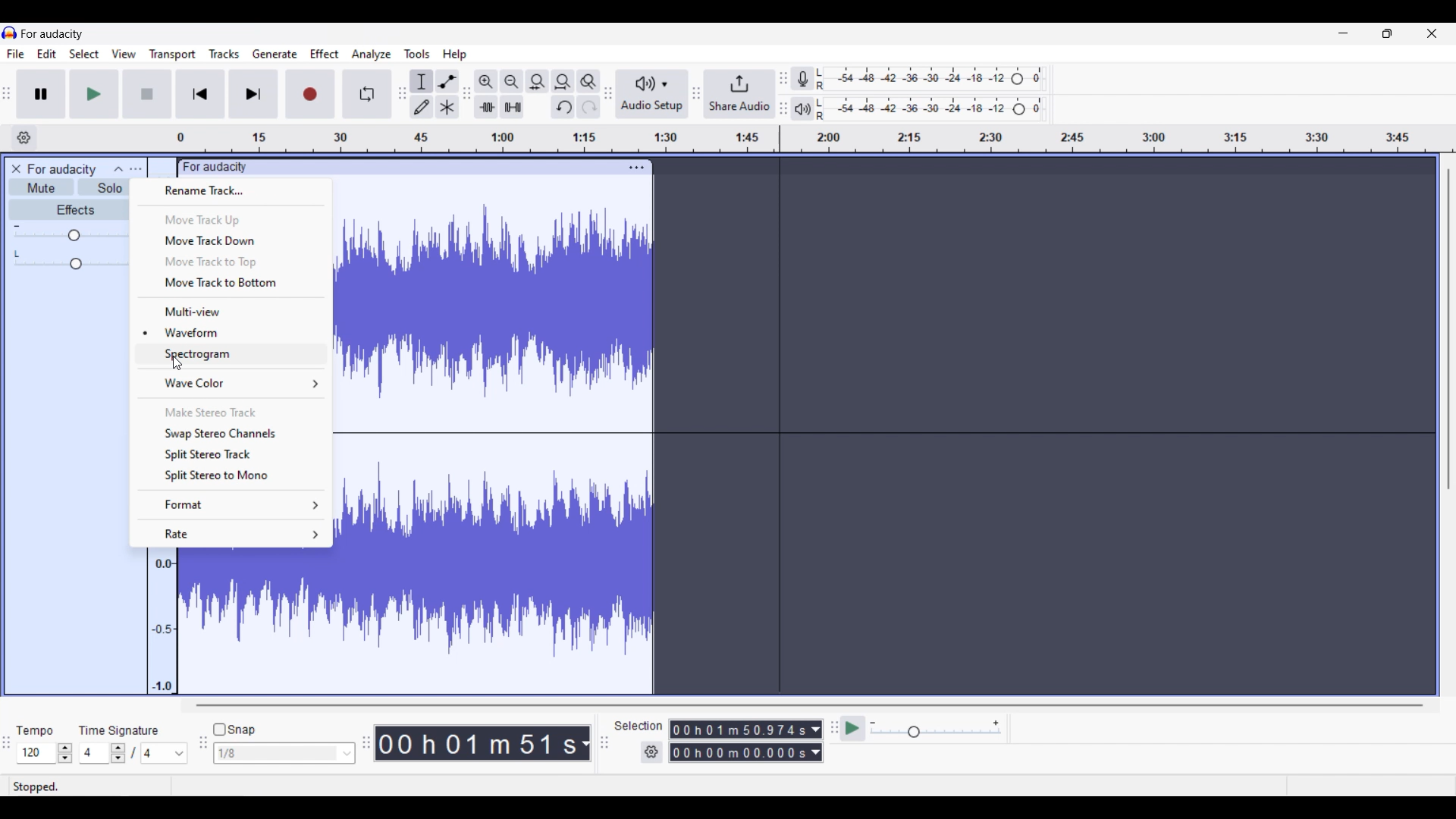 Image resolution: width=1456 pixels, height=819 pixels. What do you see at coordinates (118, 730) in the screenshot?
I see `Indicates time signature settings` at bounding box center [118, 730].